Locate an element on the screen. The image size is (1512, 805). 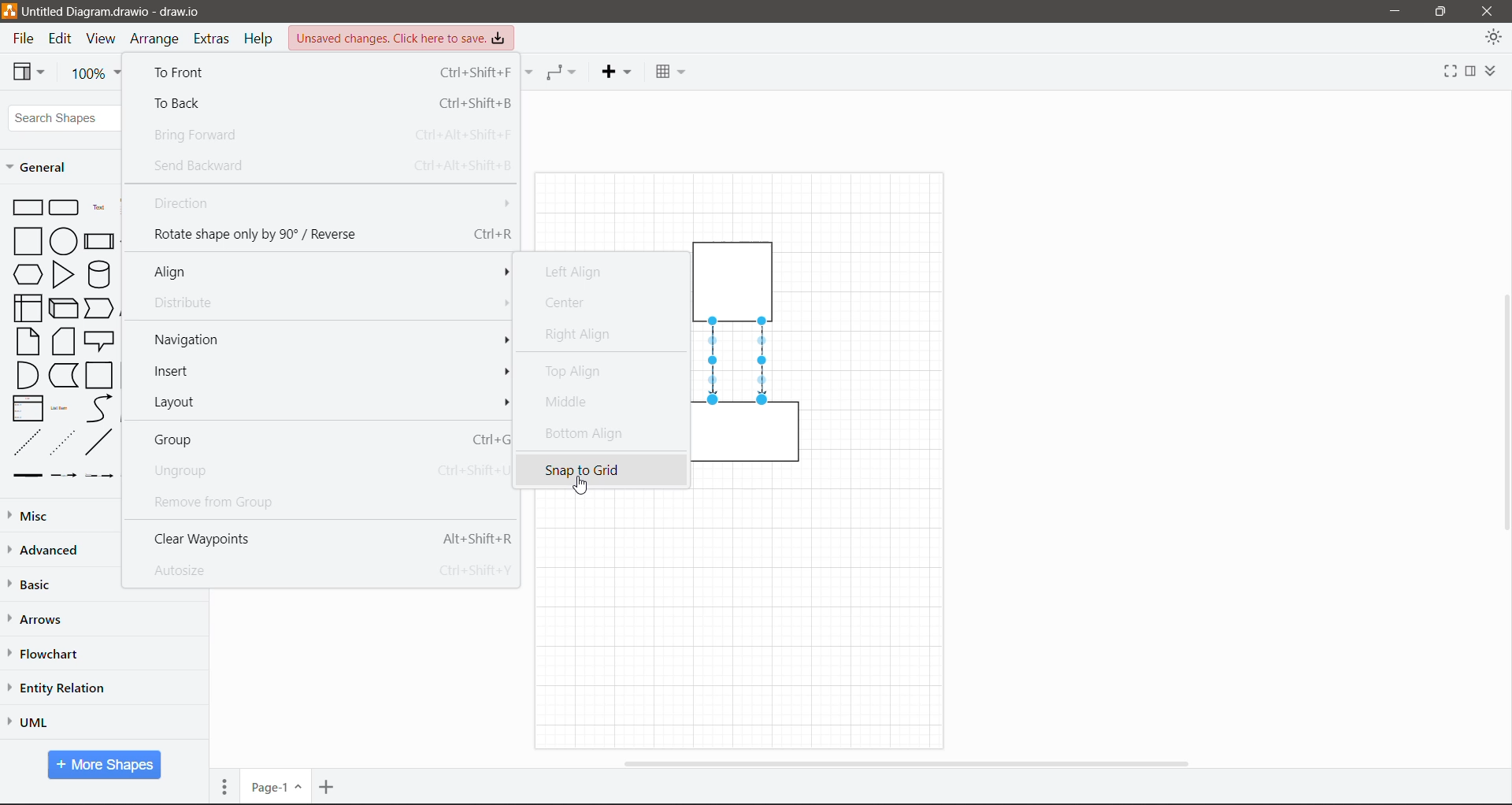
Misc is located at coordinates (64, 515).